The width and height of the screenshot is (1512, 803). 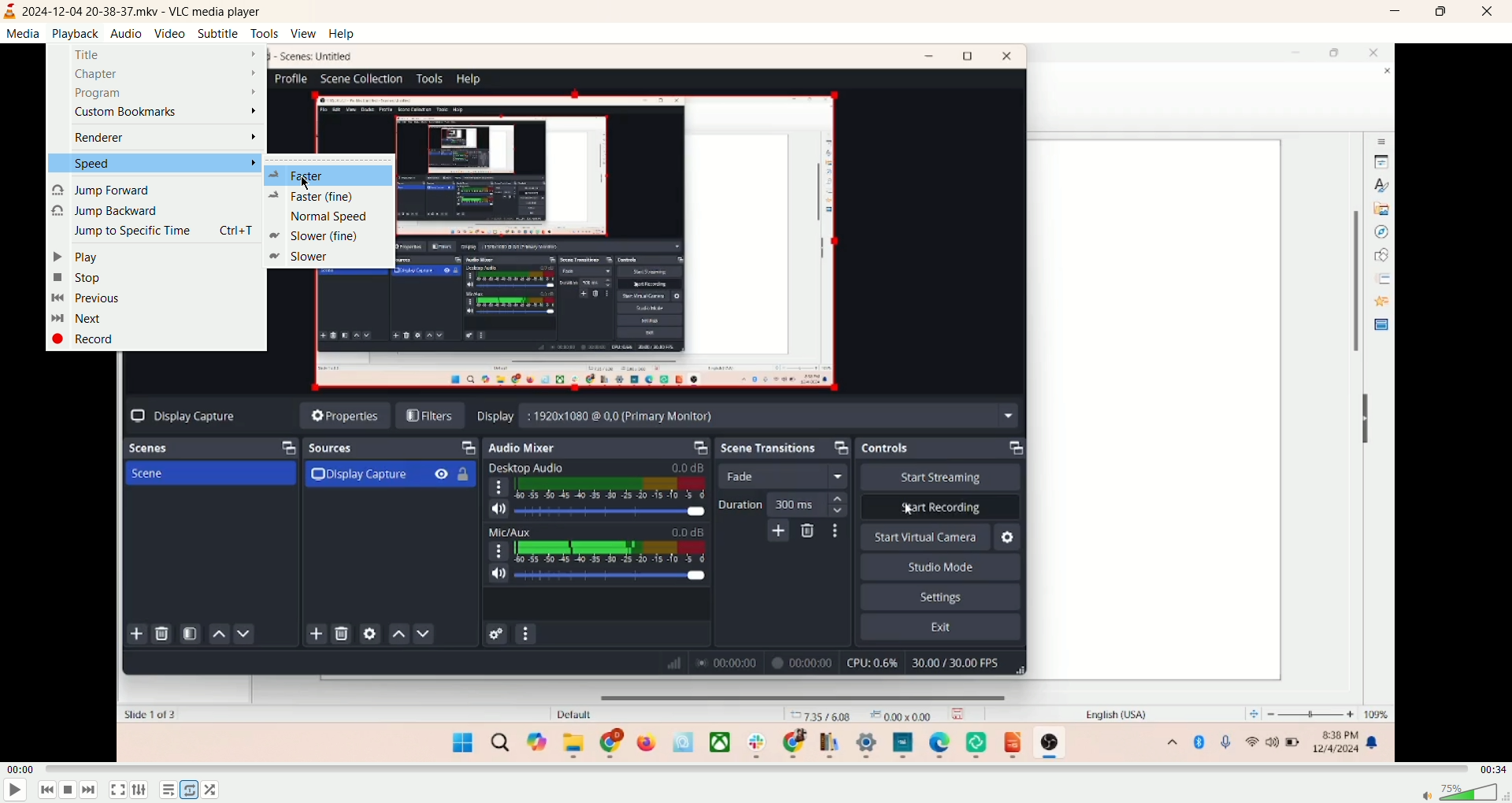 What do you see at coordinates (78, 319) in the screenshot?
I see `next` at bounding box center [78, 319].